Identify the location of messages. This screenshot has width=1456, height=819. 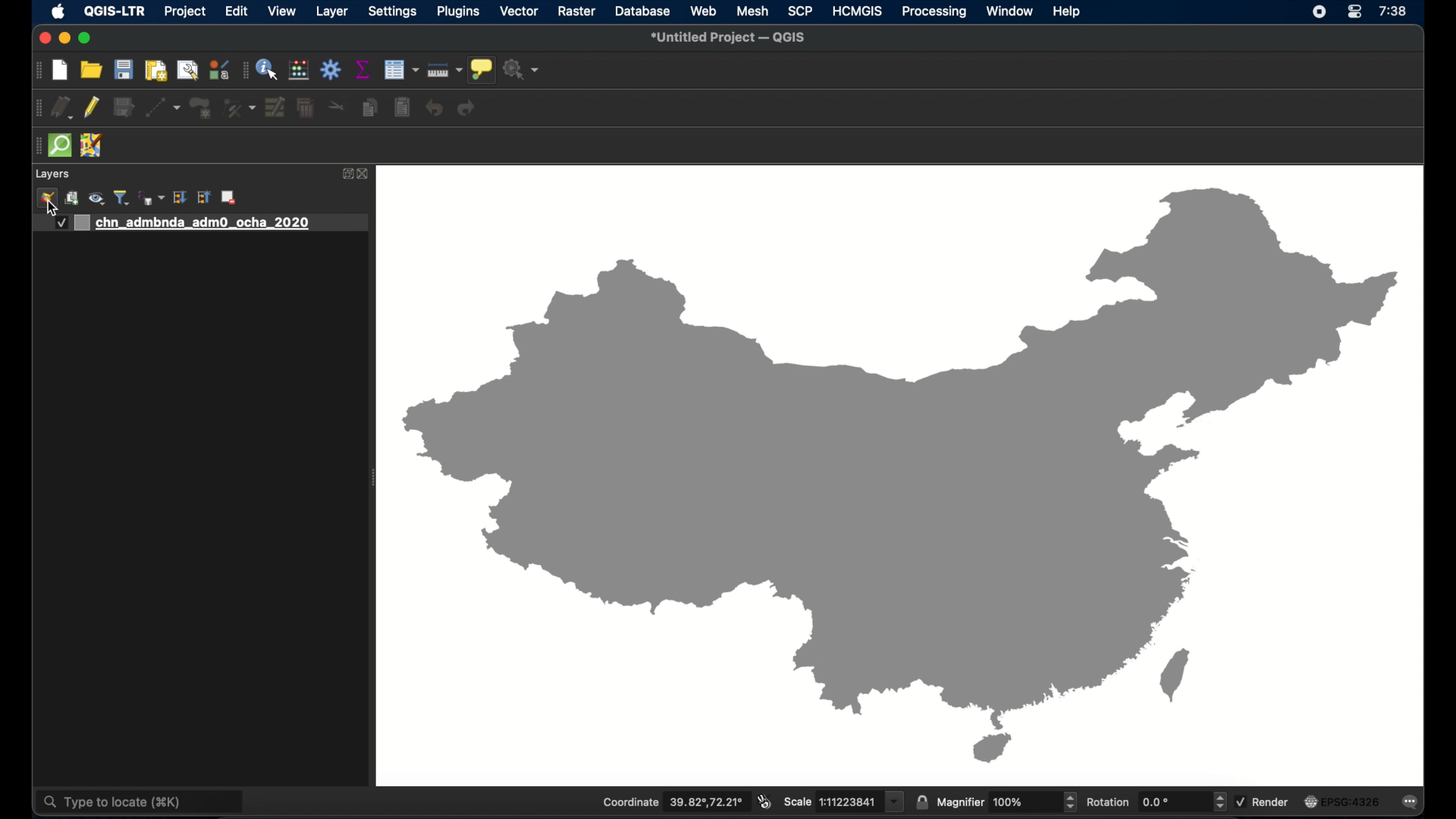
(1410, 802).